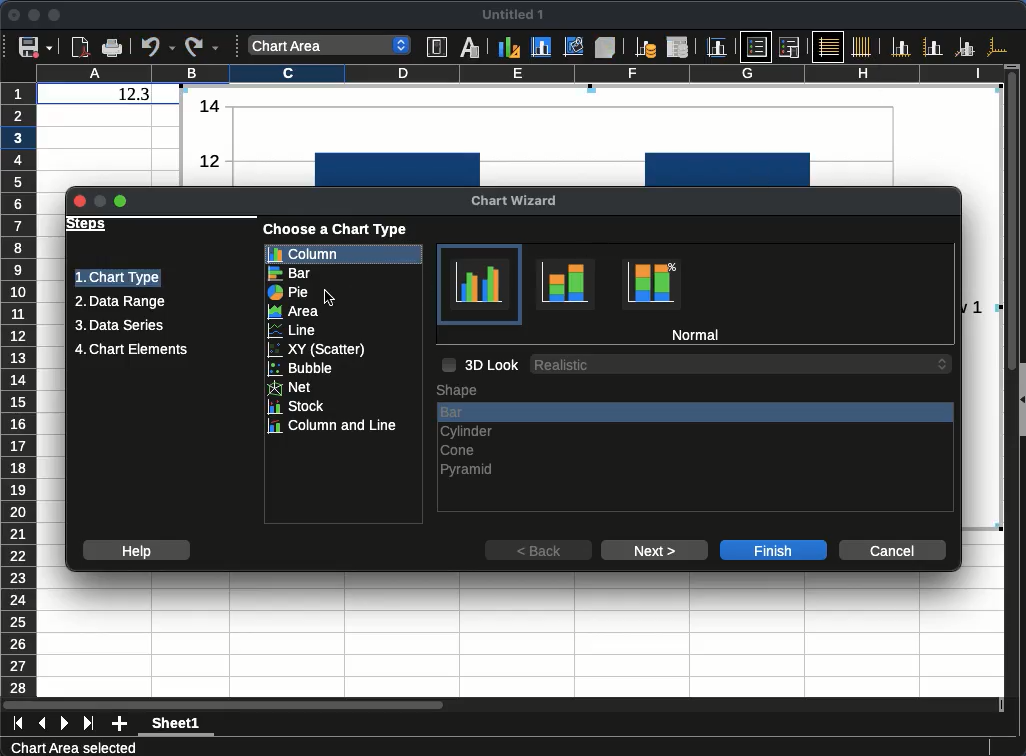 This screenshot has width=1026, height=756. I want to click on cylinder, so click(468, 432).